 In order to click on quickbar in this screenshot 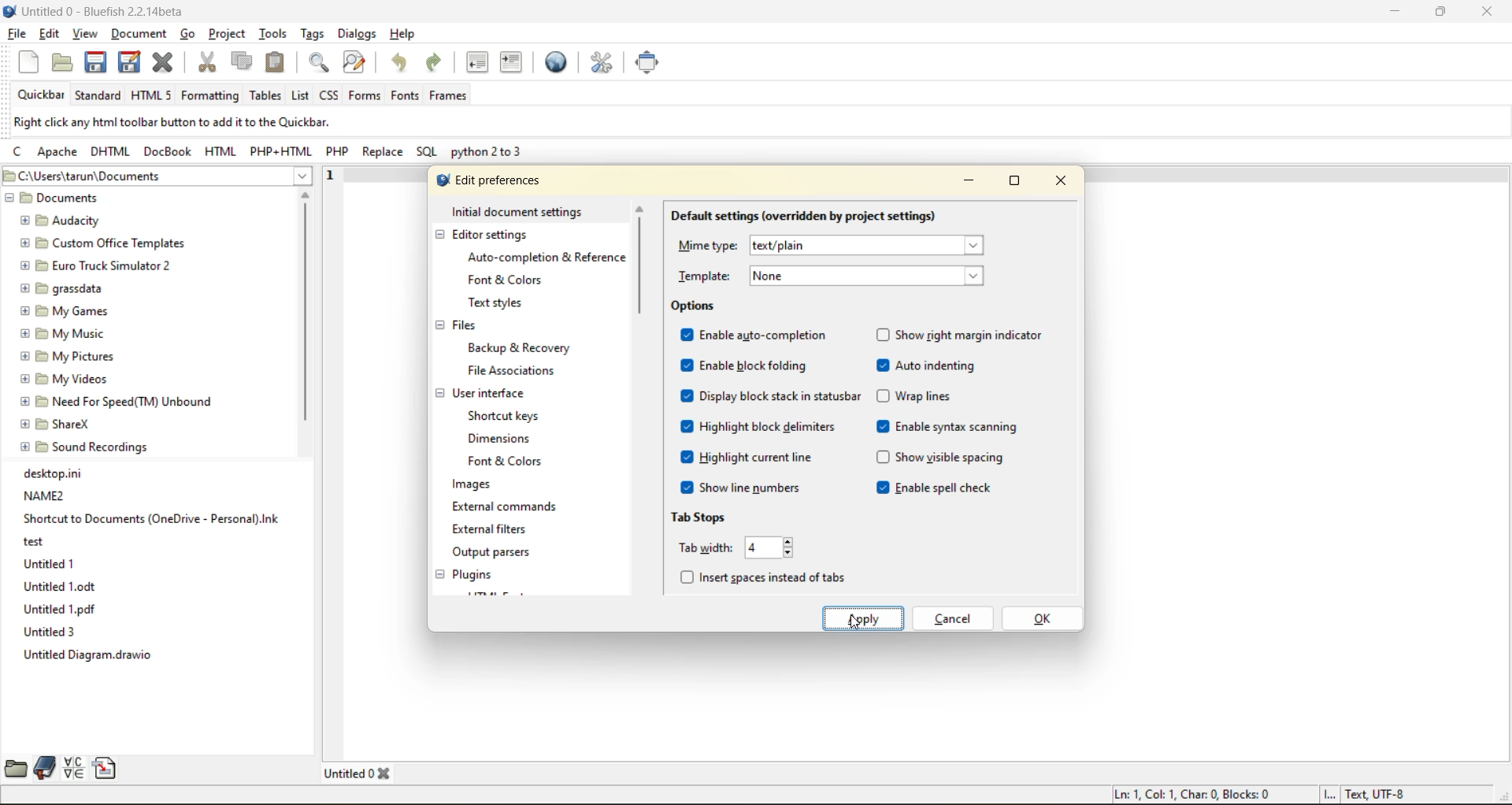, I will do `click(43, 95)`.